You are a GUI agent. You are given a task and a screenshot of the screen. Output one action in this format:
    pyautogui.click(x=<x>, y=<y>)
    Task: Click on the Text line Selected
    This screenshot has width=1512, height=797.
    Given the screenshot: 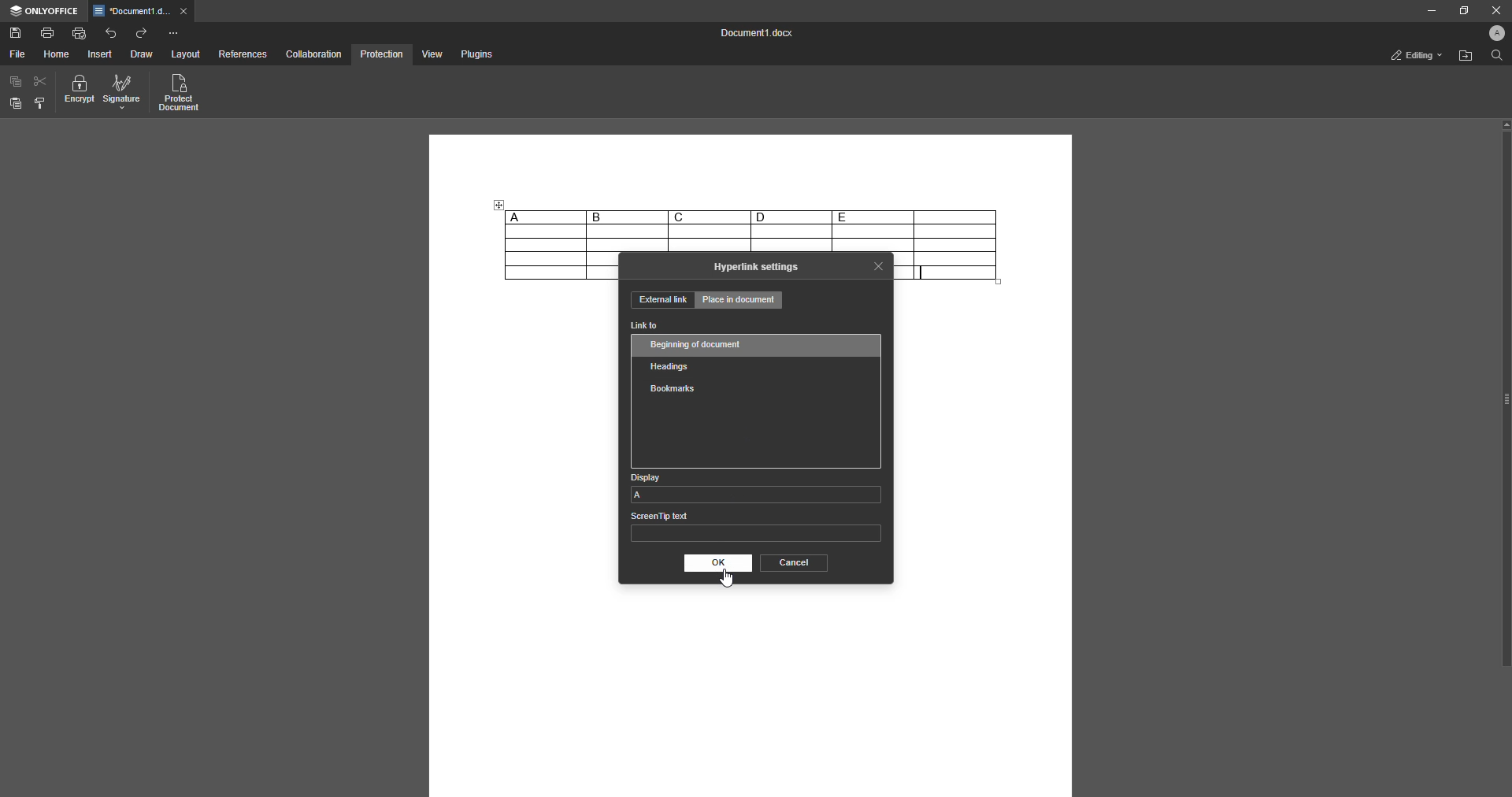 What is the action you would take?
    pyautogui.click(x=923, y=272)
    